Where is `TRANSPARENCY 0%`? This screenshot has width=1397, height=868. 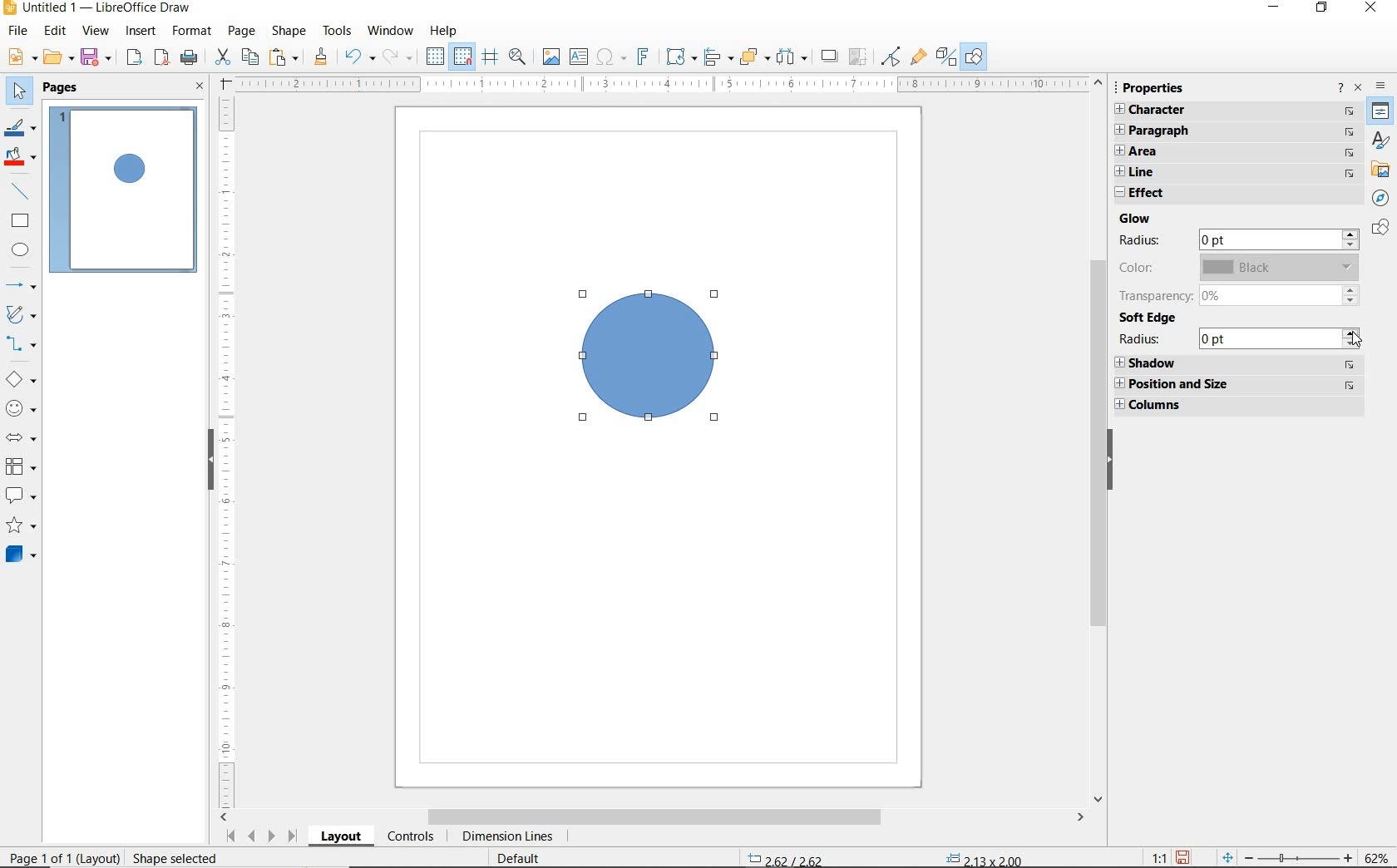
TRANSPARENCY 0% is located at coordinates (1226, 294).